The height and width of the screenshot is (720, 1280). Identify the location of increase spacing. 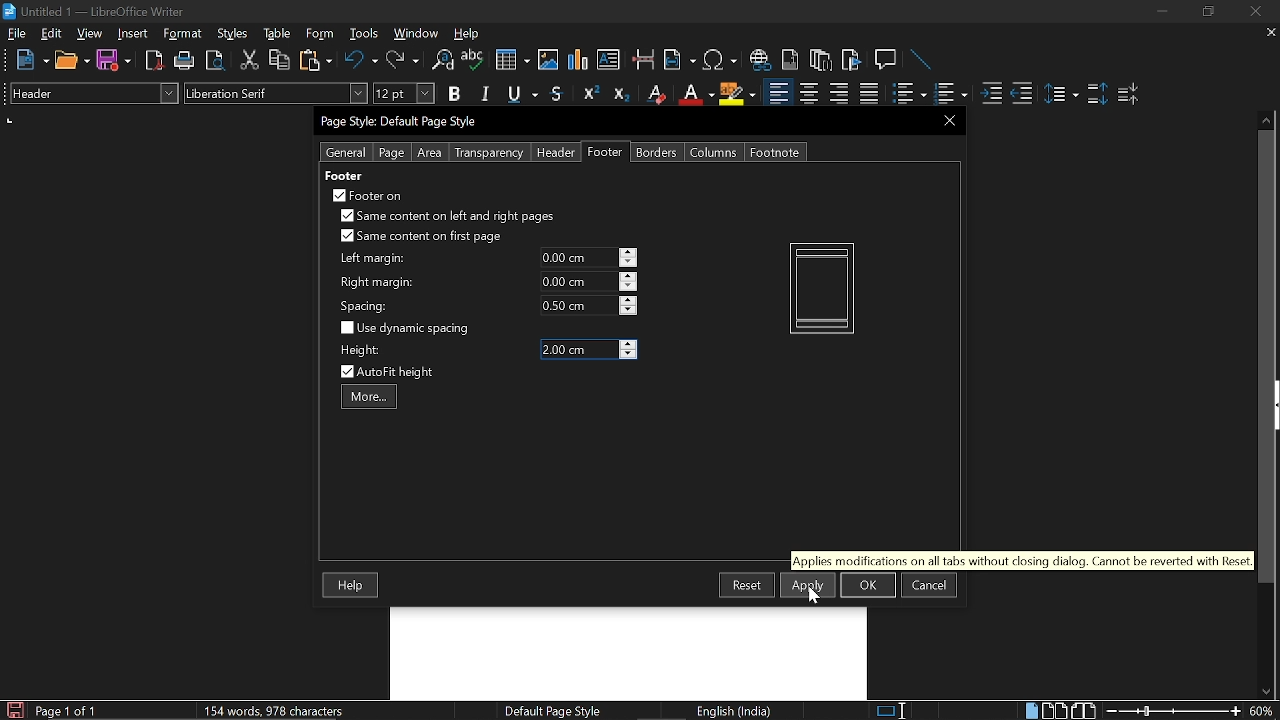
(629, 299).